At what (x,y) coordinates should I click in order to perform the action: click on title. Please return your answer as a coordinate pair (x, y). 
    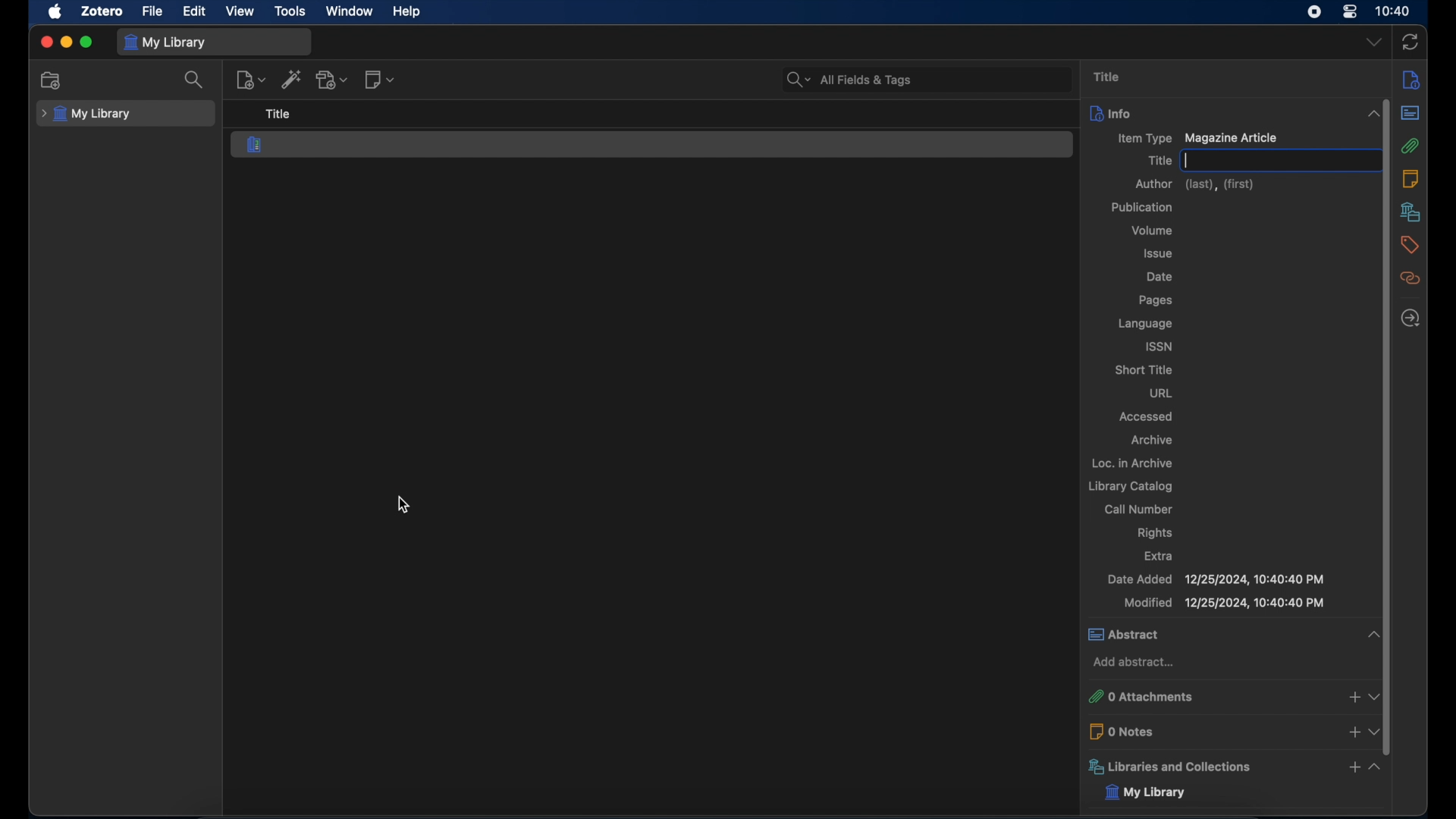
    Looking at the image, I should click on (278, 114).